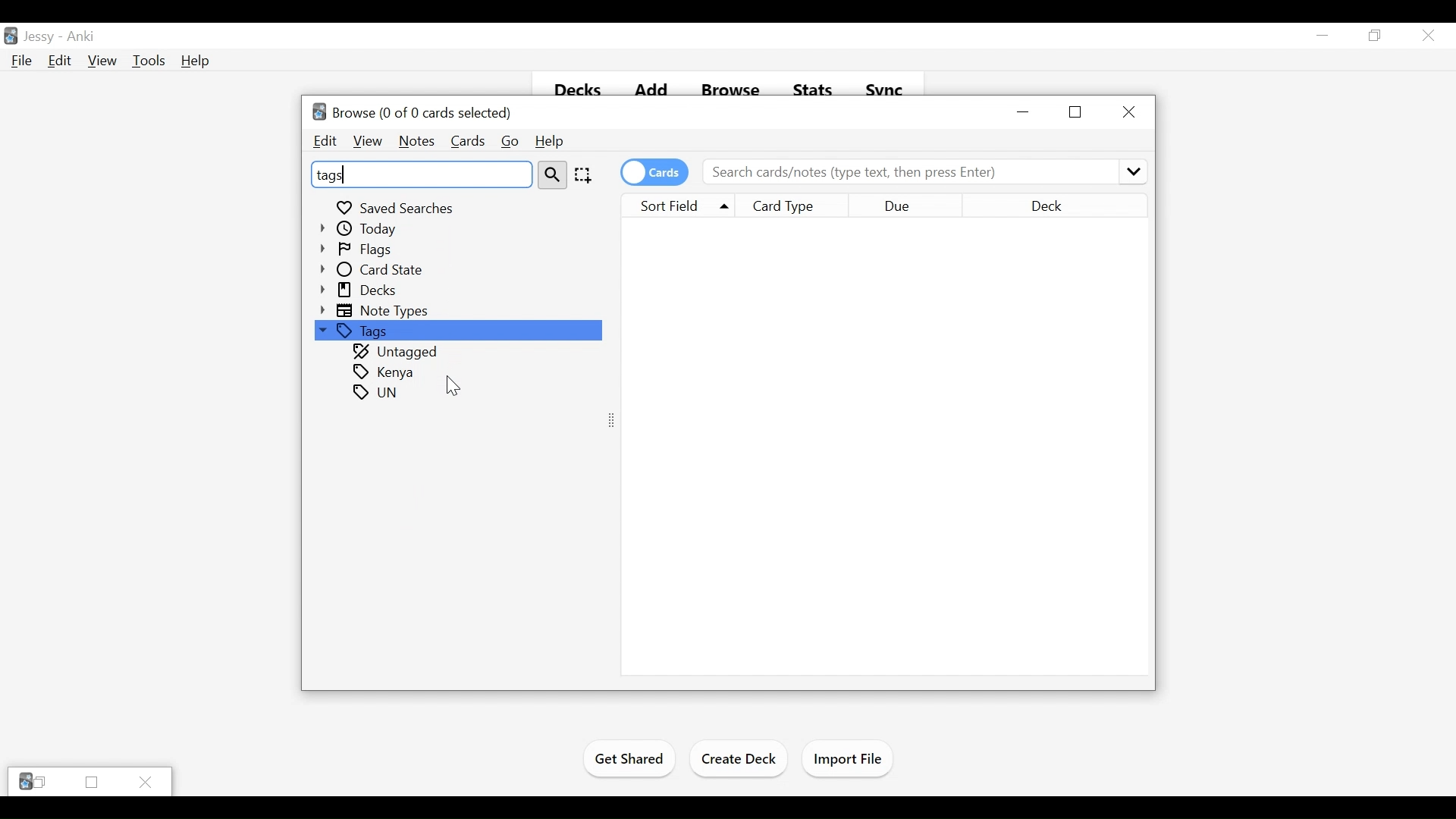  What do you see at coordinates (548, 142) in the screenshot?
I see `Help` at bounding box center [548, 142].